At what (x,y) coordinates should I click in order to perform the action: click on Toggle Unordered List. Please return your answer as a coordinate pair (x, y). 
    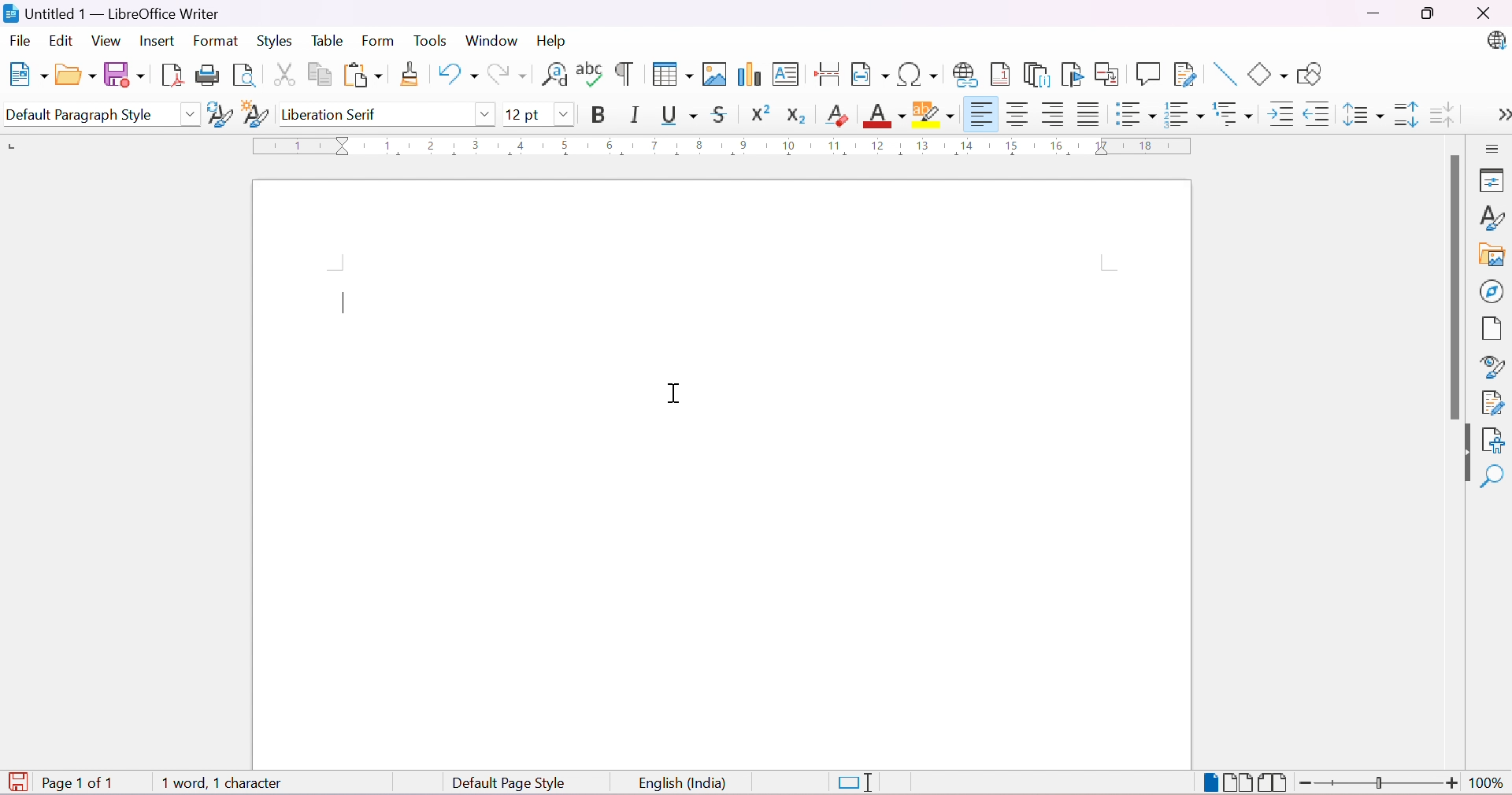
    Looking at the image, I should click on (1132, 113).